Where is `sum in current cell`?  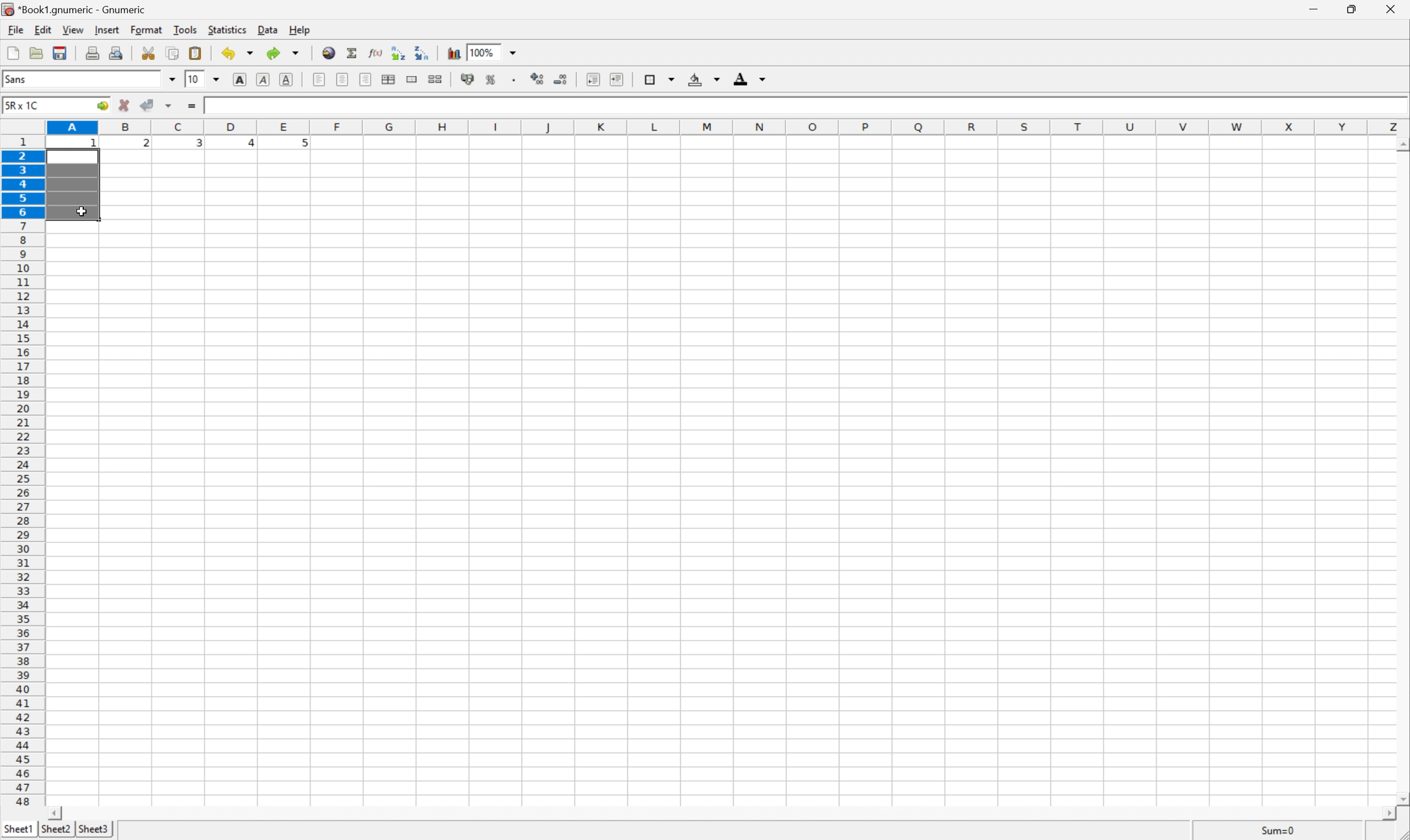 sum in current cell is located at coordinates (354, 53).